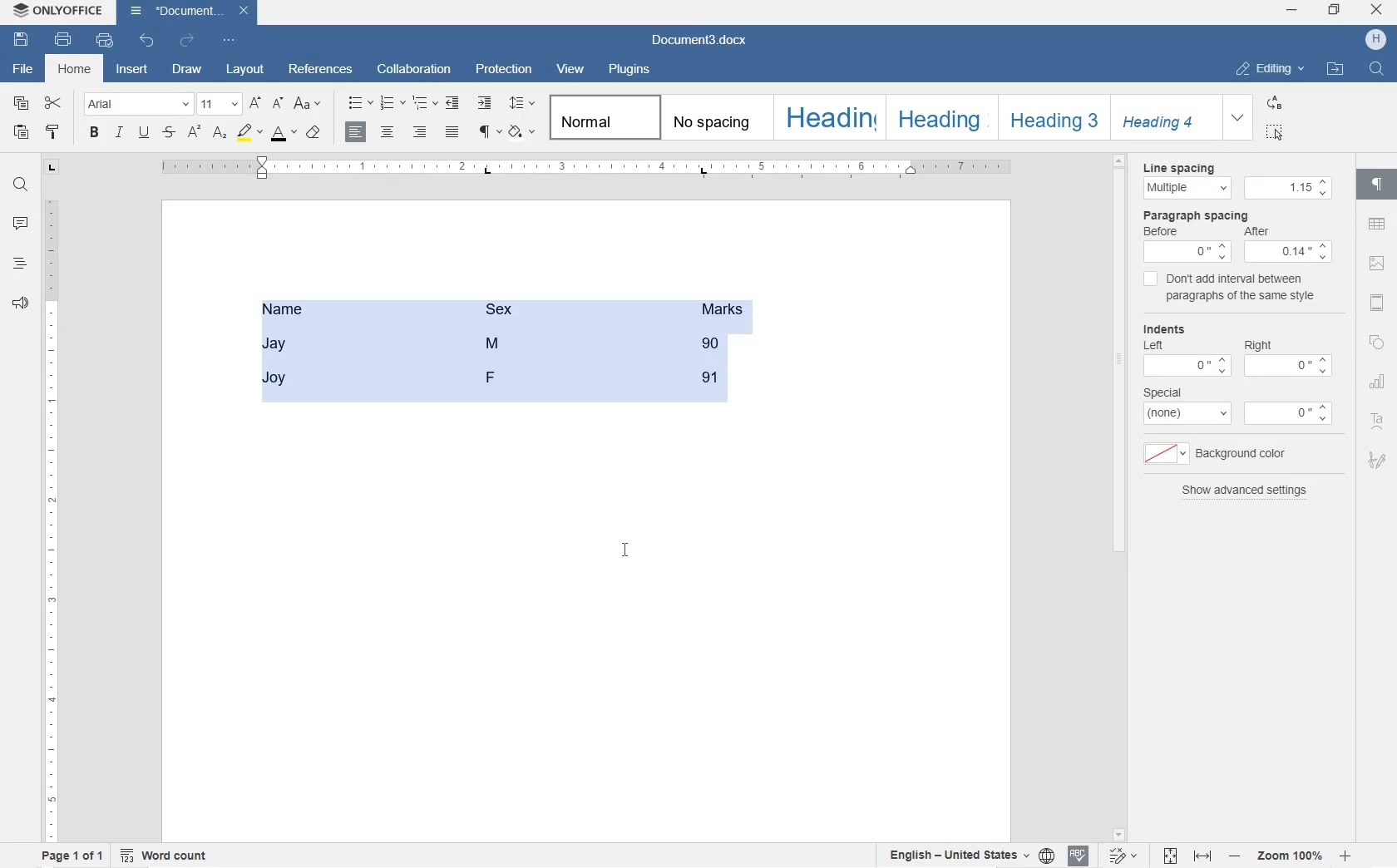  I want to click on CUT, so click(55, 102).